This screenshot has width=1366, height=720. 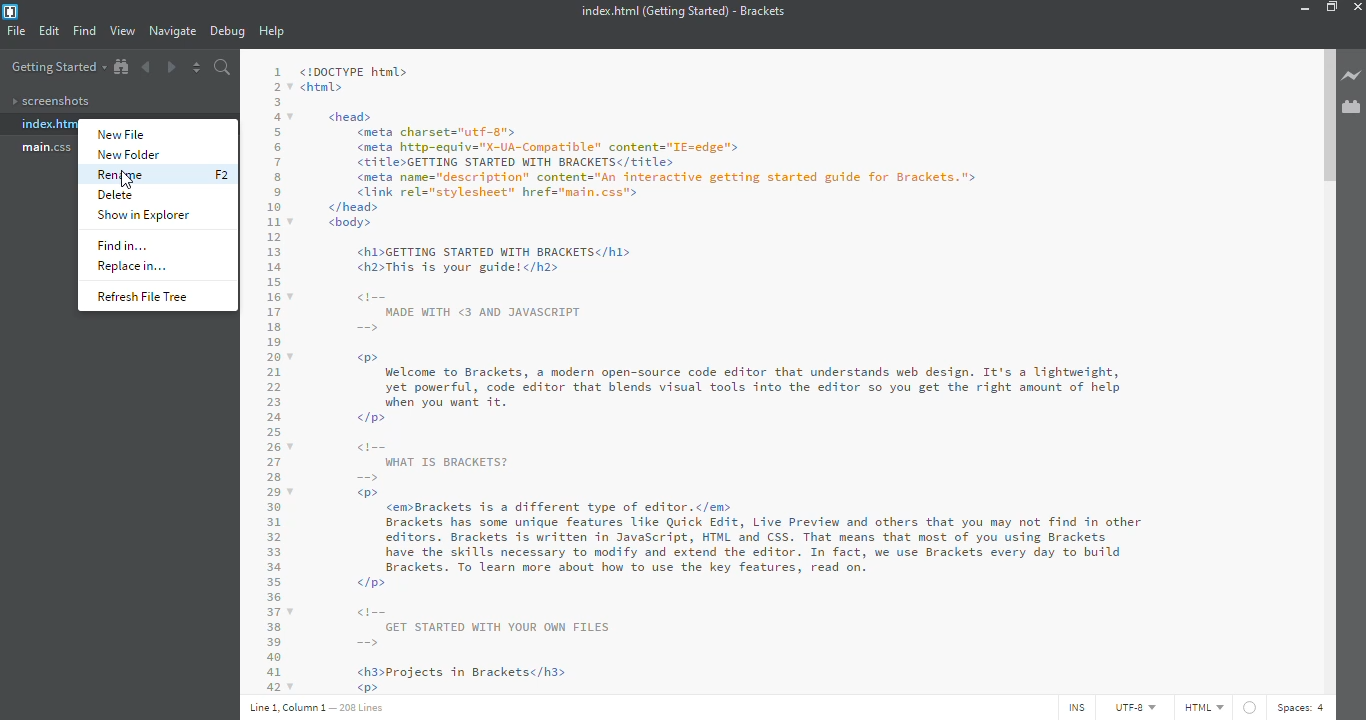 I want to click on live preview, so click(x=1352, y=77).